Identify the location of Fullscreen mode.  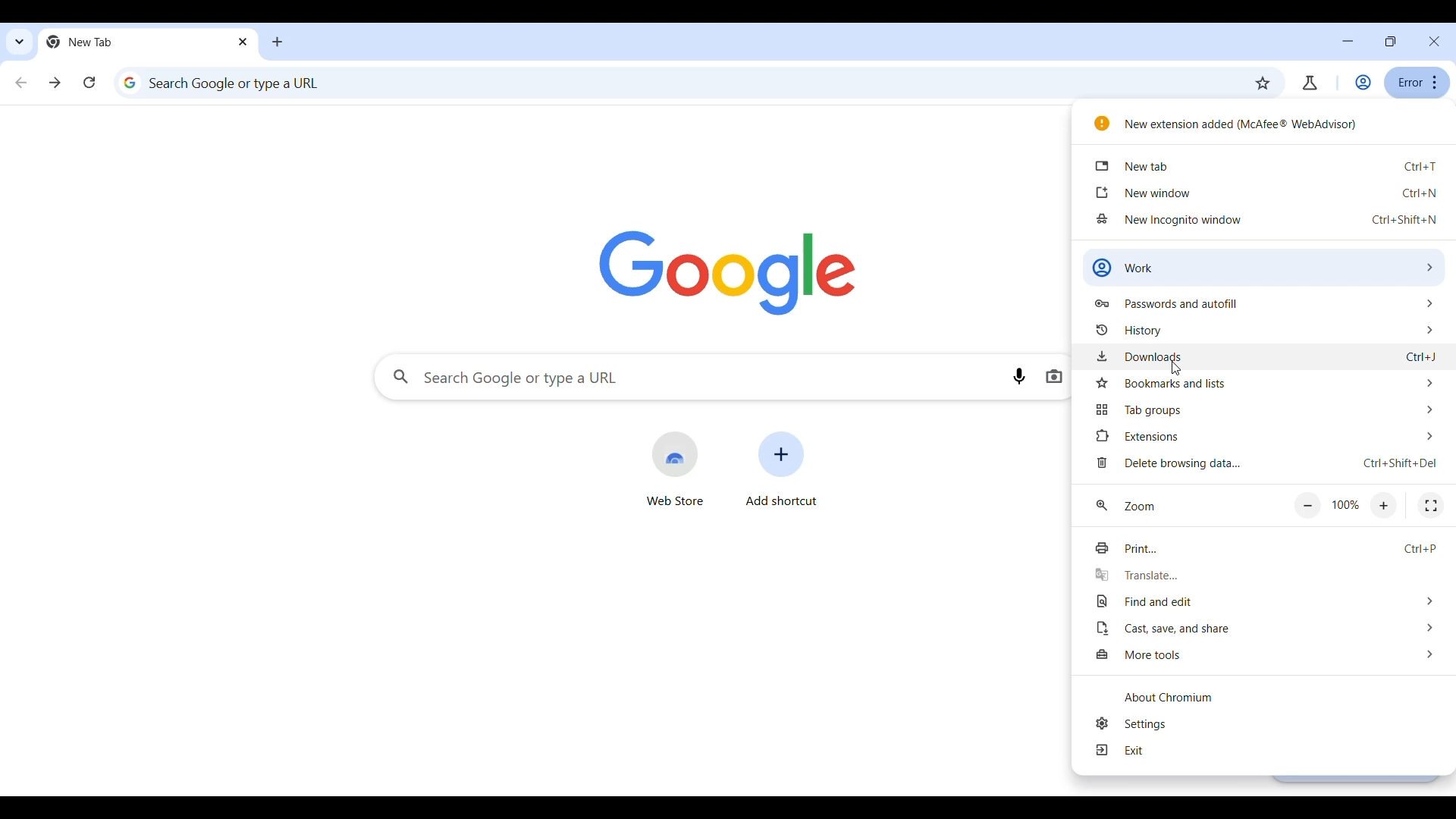
(1431, 506).